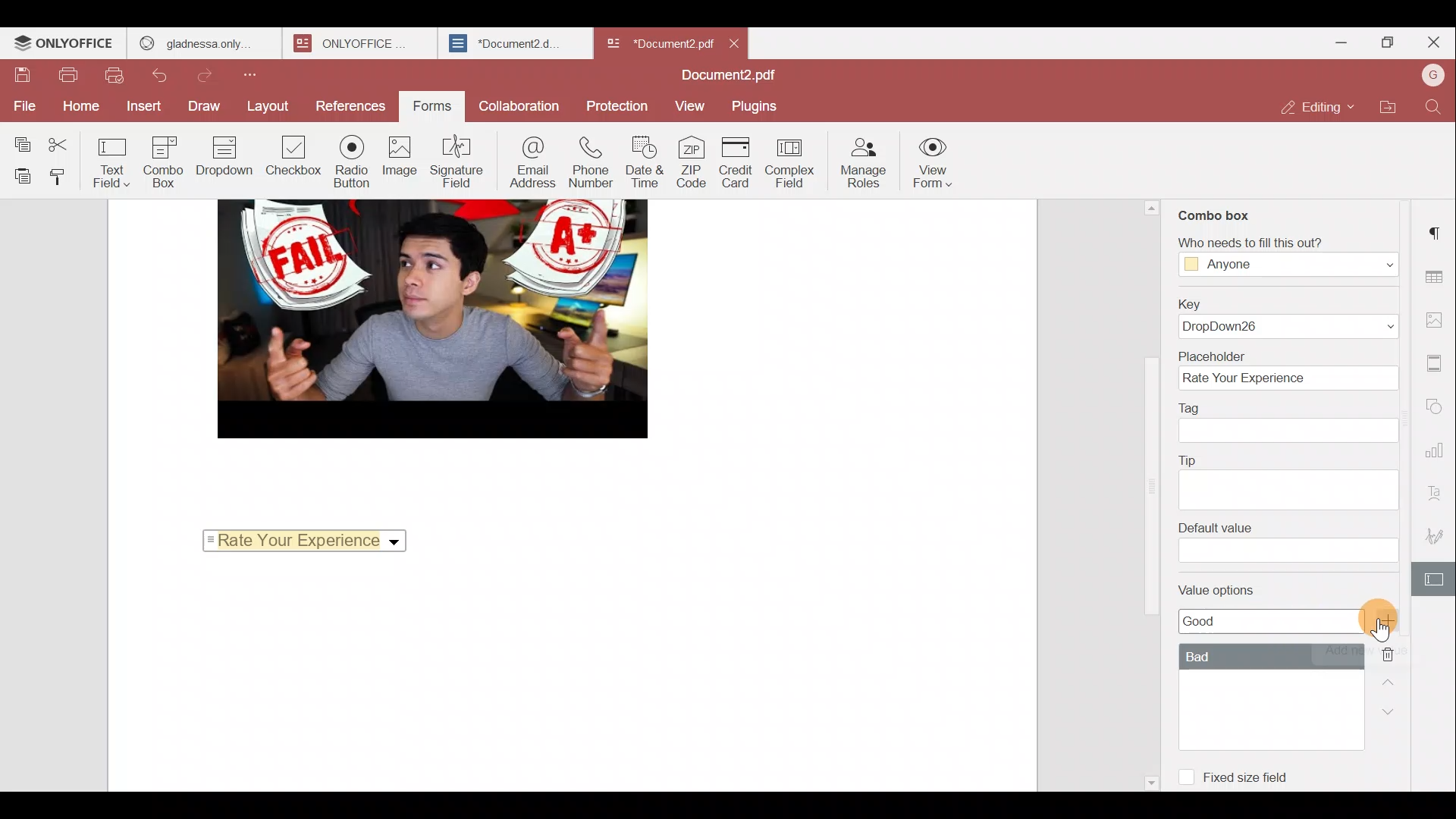 The height and width of the screenshot is (819, 1456). Describe the element at coordinates (196, 41) in the screenshot. I see `gladnessa only.` at that location.